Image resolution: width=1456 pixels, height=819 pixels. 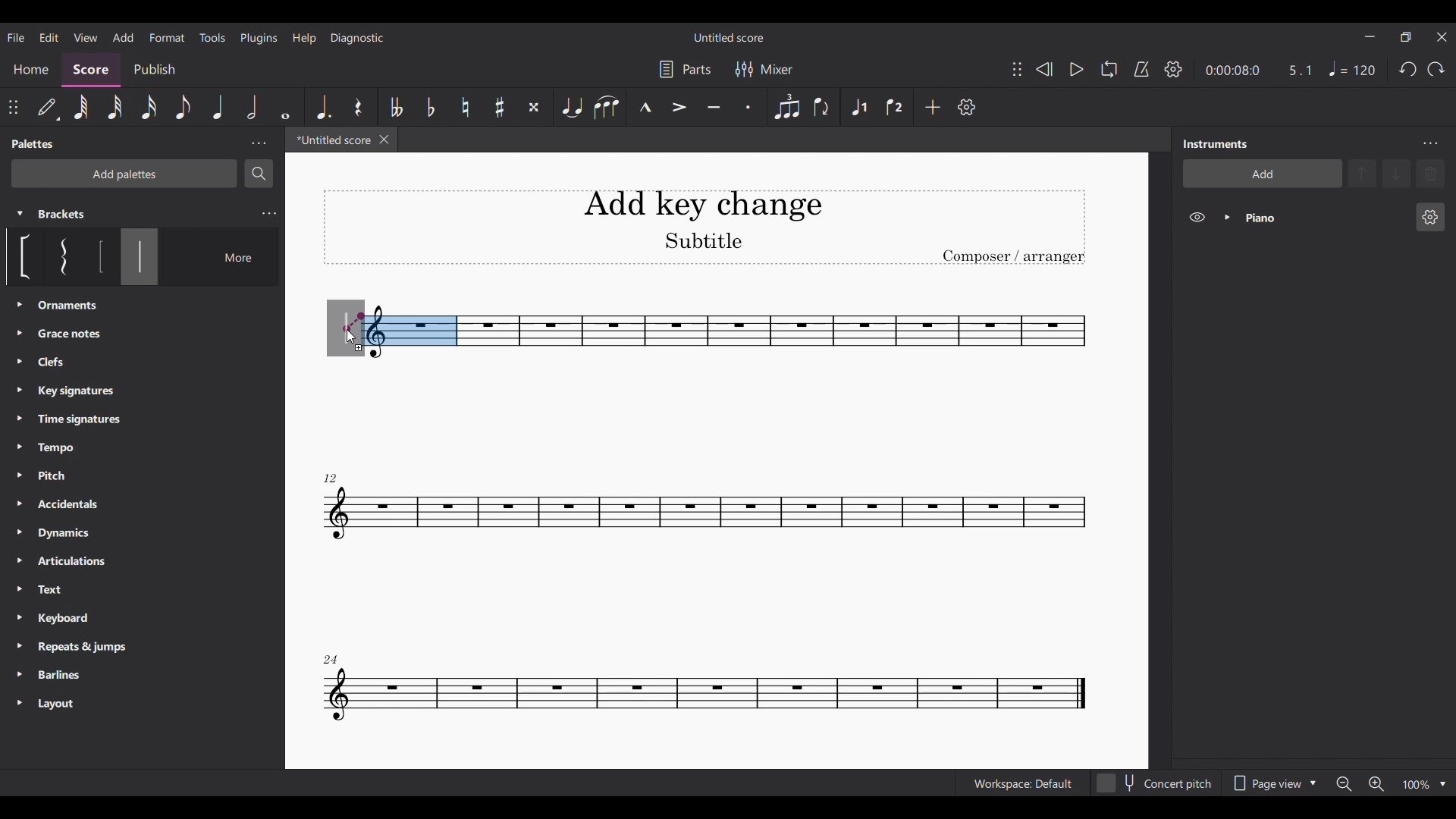 I want to click on Current bracket selection highlighted, so click(x=140, y=256).